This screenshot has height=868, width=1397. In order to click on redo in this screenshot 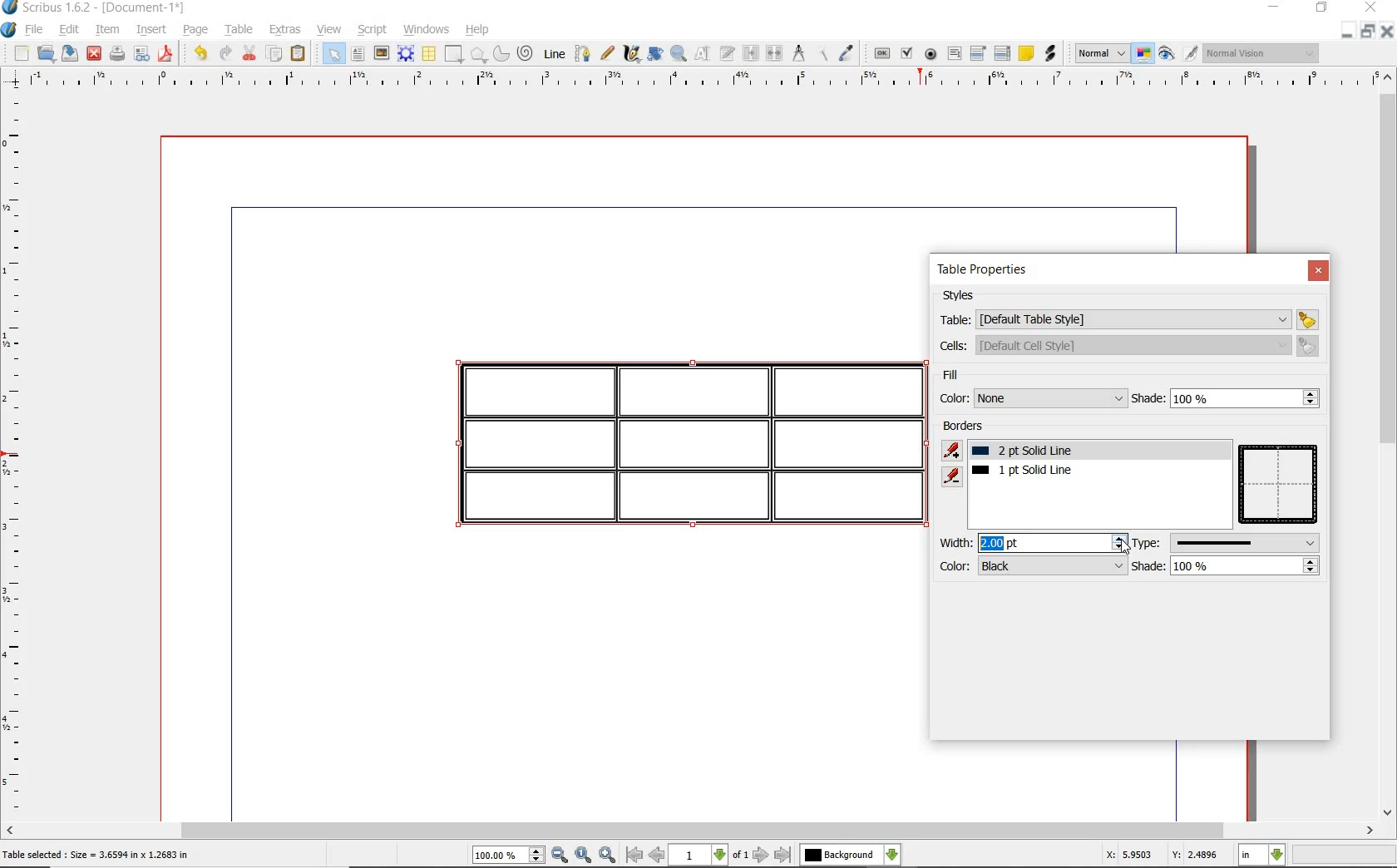, I will do `click(225, 54)`.